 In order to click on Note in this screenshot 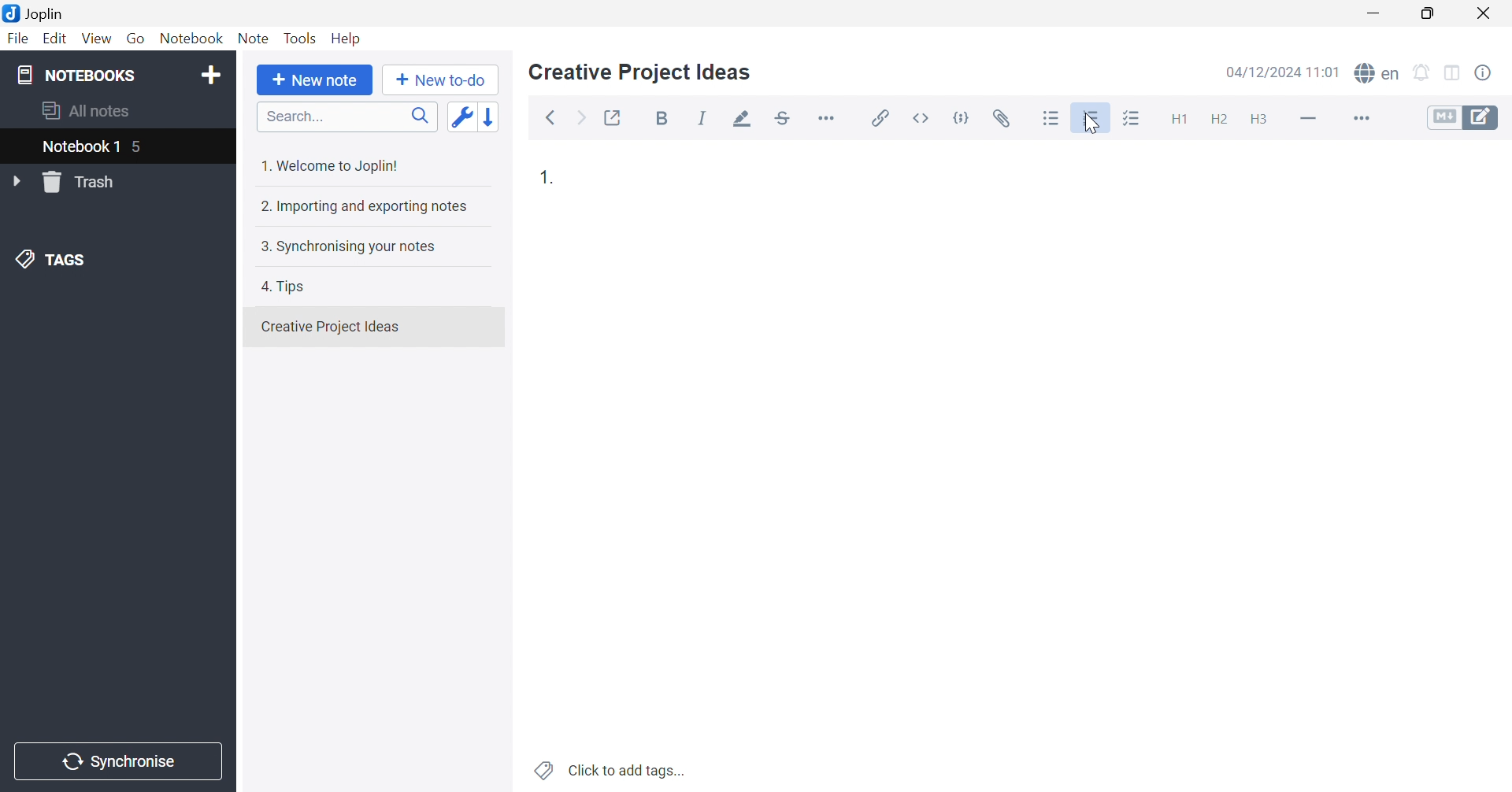, I will do `click(252, 39)`.